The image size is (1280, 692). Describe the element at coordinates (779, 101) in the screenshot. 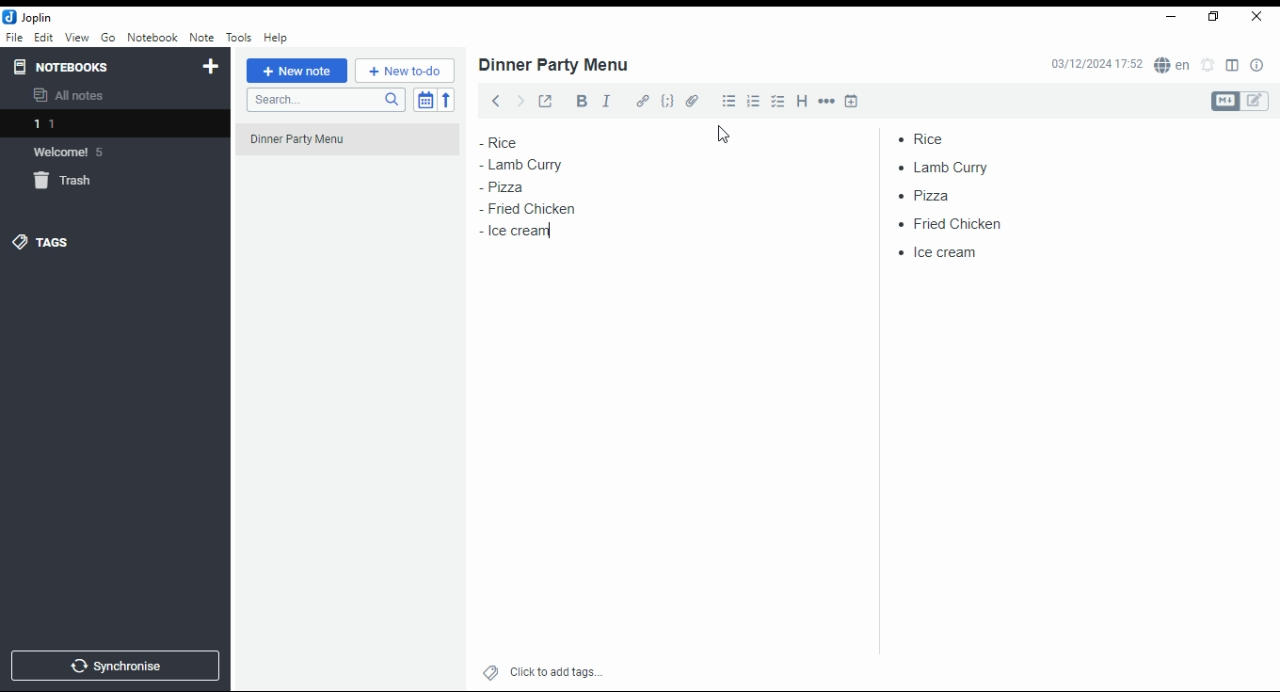

I see `chekbox list` at that location.